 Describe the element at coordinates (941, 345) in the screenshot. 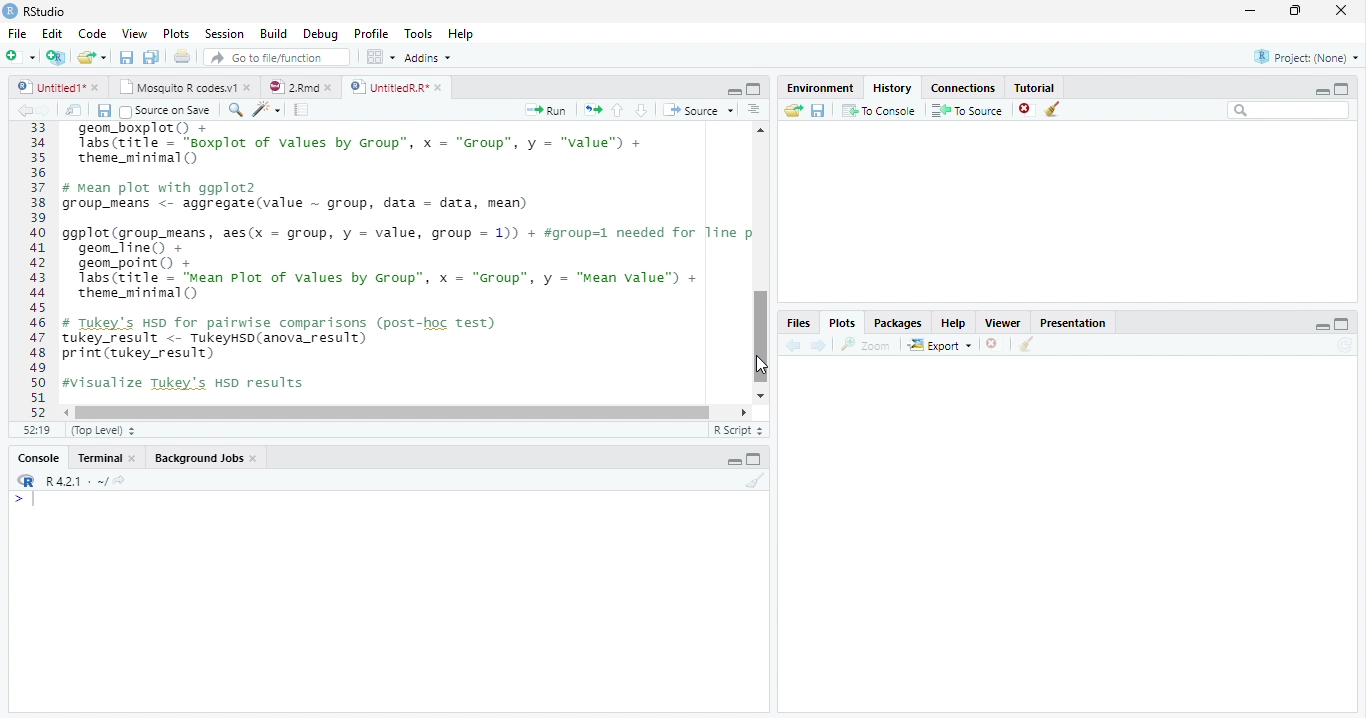

I see `Export` at that location.